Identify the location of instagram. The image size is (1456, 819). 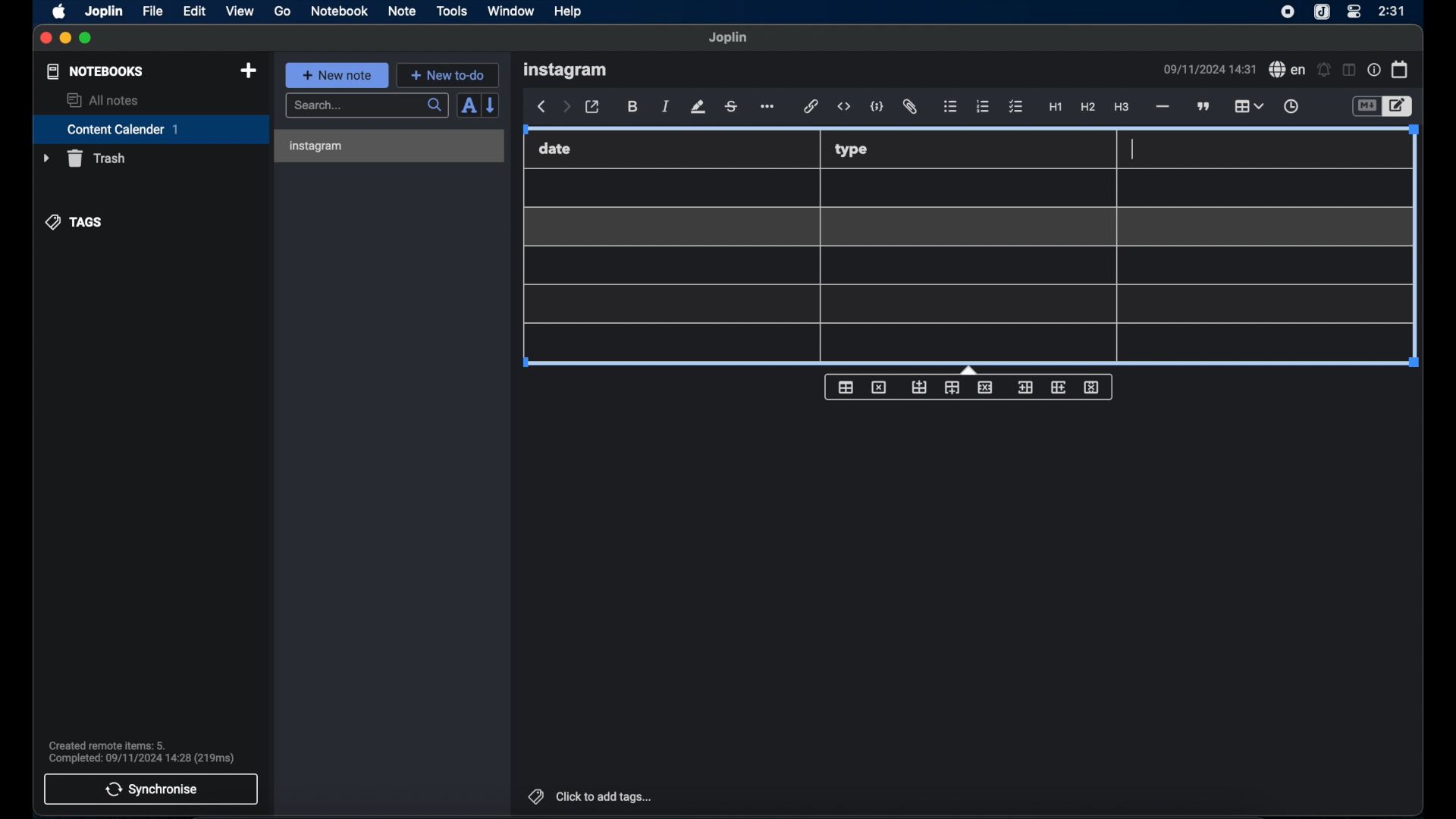
(565, 71).